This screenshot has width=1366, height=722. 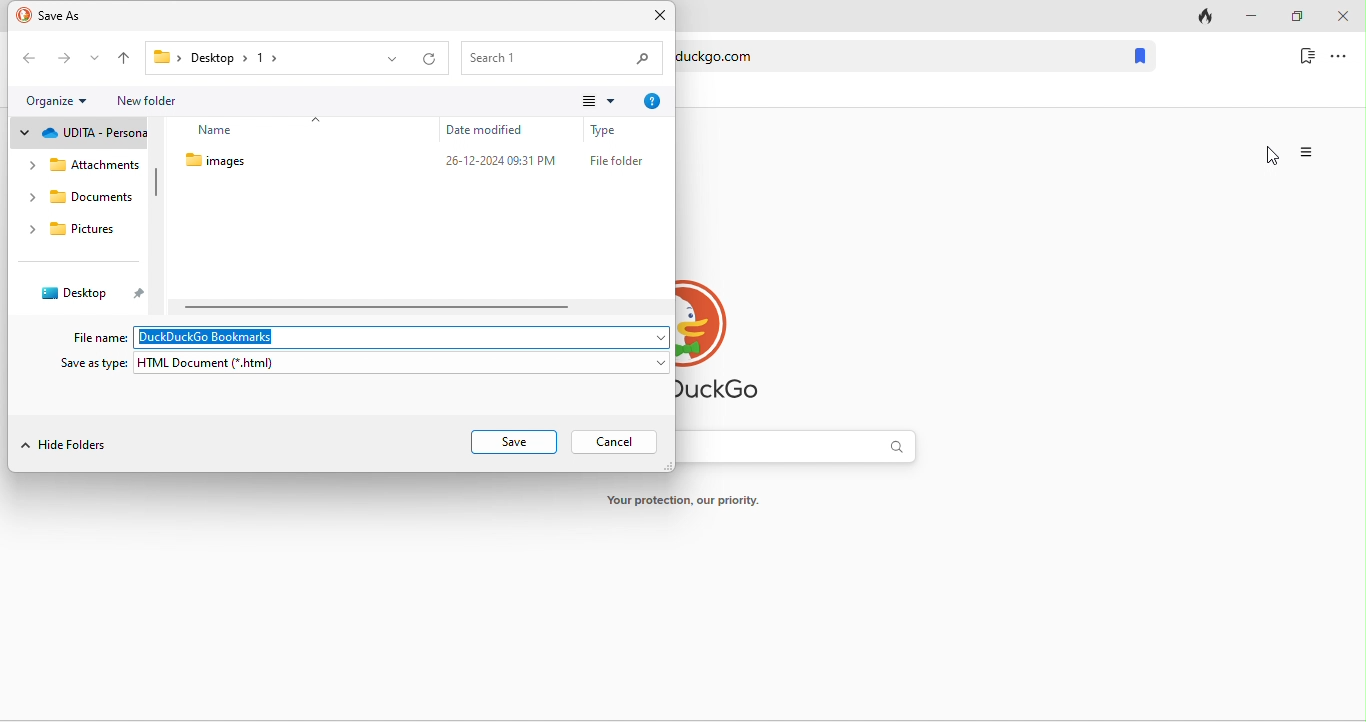 I want to click on 26-12-2024 09:31 PM, so click(x=499, y=161).